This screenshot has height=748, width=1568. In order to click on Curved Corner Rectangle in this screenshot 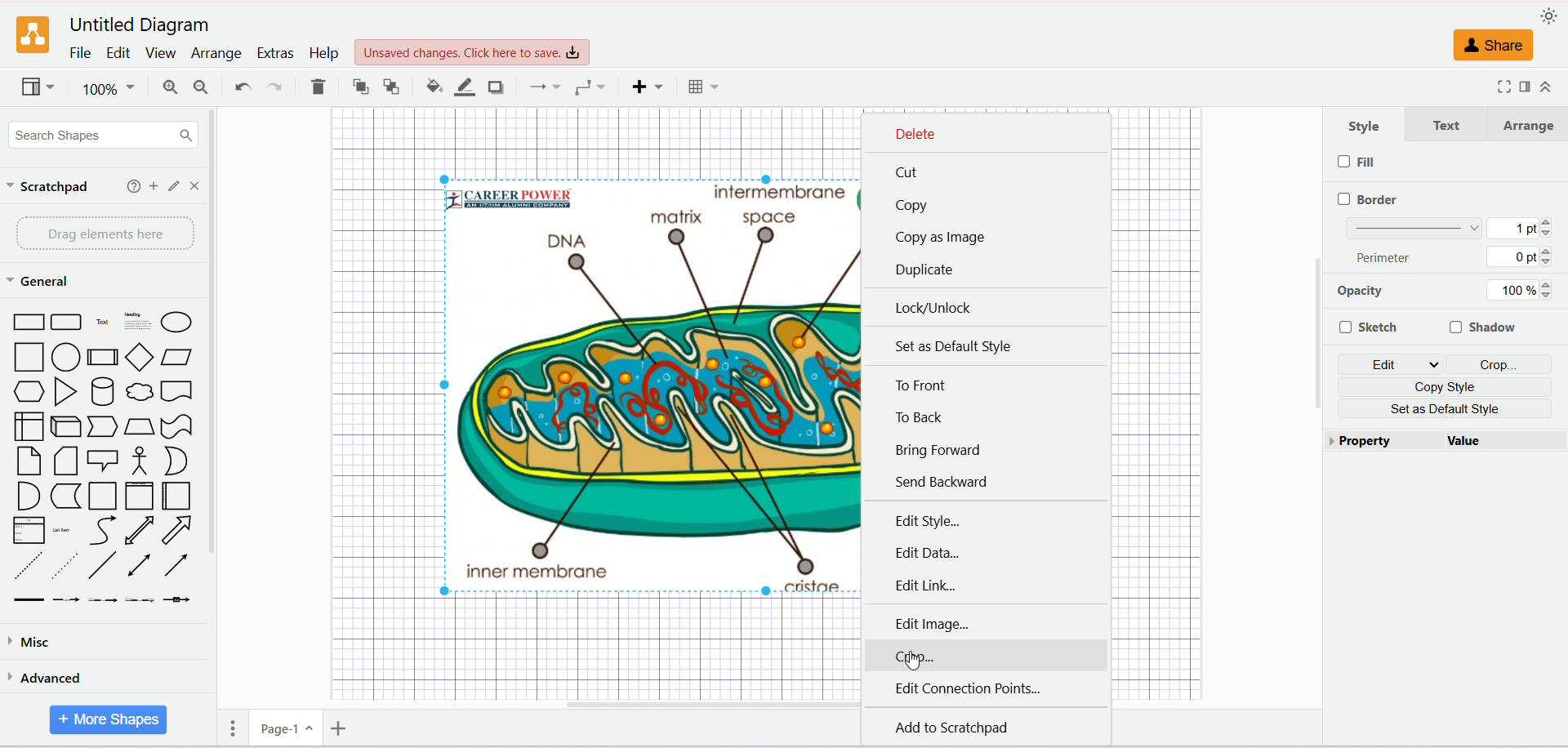, I will do `click(67, 323)`.